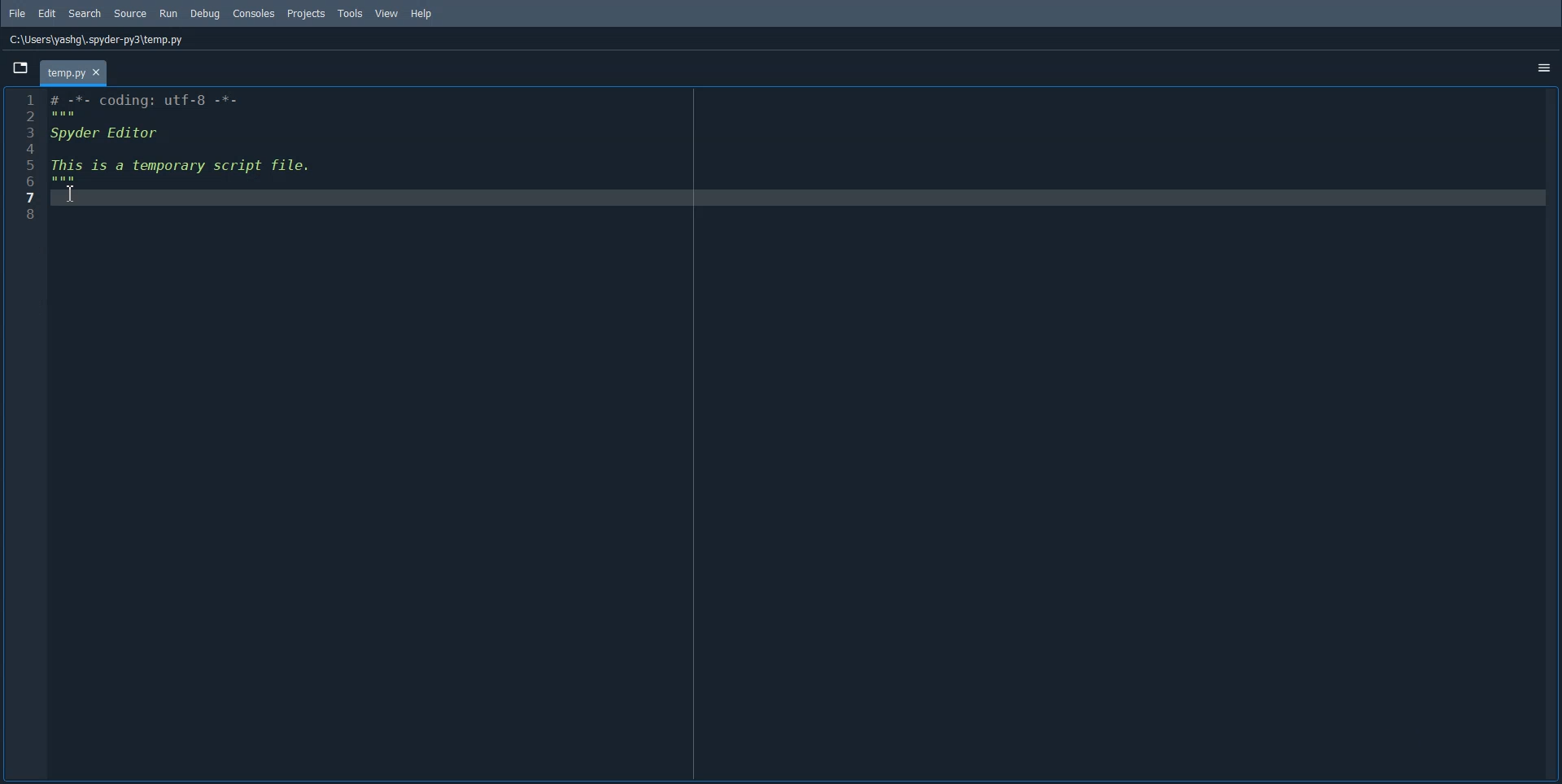 The height and width of the screenshot is (784, 1562). Describe the element at coordinates (421, 13) in the screenshot. I see `Help` at that location.